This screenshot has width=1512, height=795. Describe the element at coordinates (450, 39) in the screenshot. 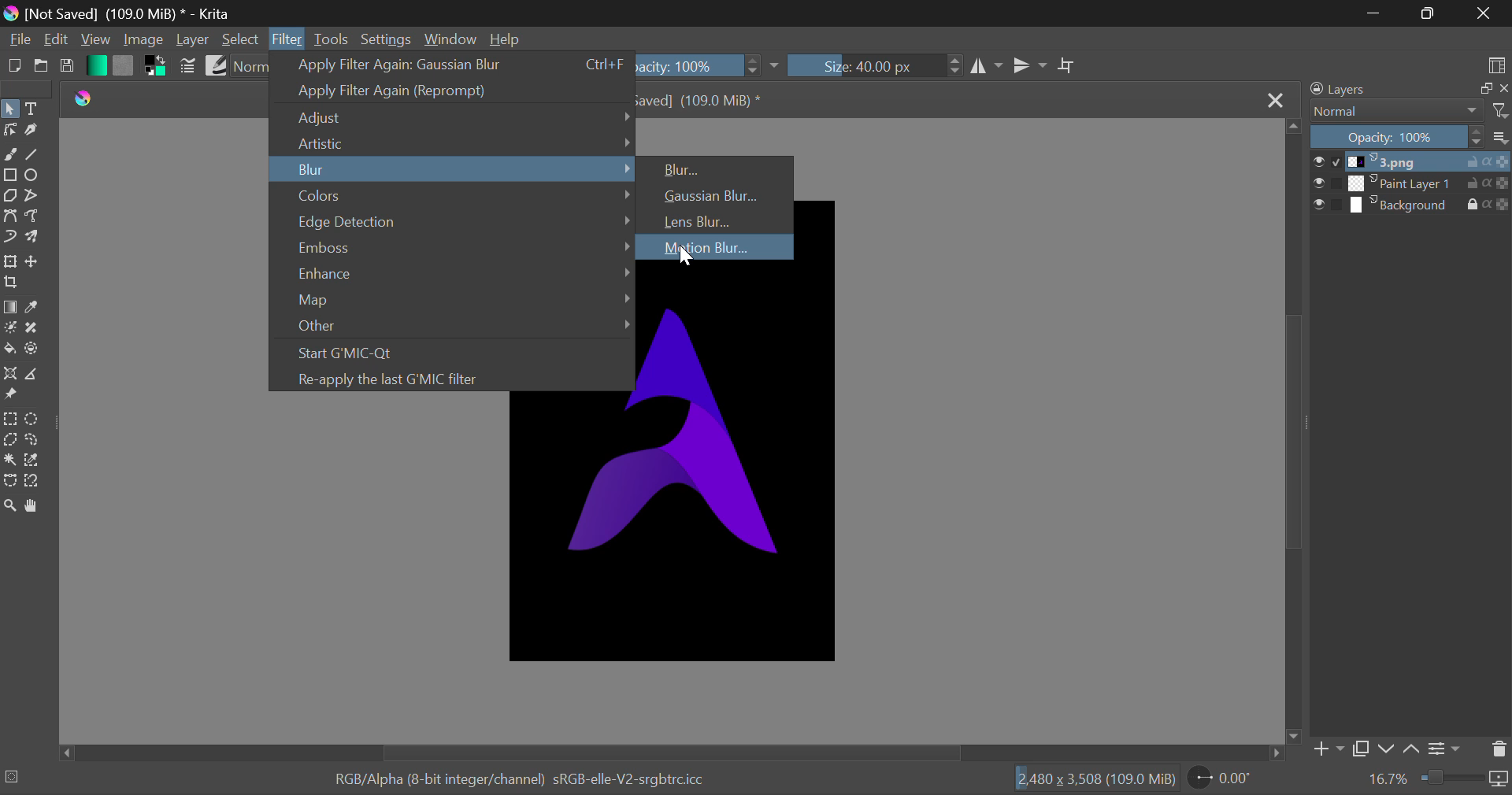

I see `Window` at that location.